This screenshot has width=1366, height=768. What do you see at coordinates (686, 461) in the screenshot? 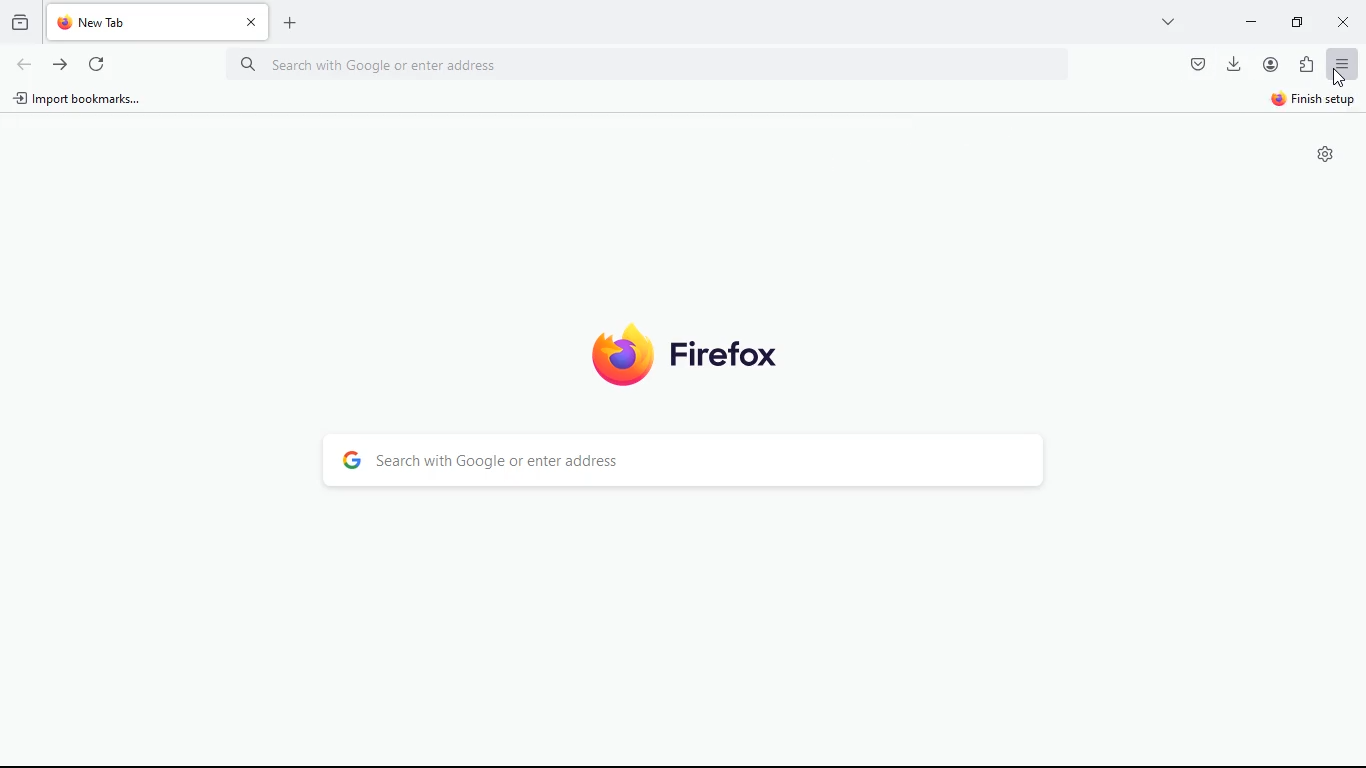
I see `search` at bounding box center [686, 461].